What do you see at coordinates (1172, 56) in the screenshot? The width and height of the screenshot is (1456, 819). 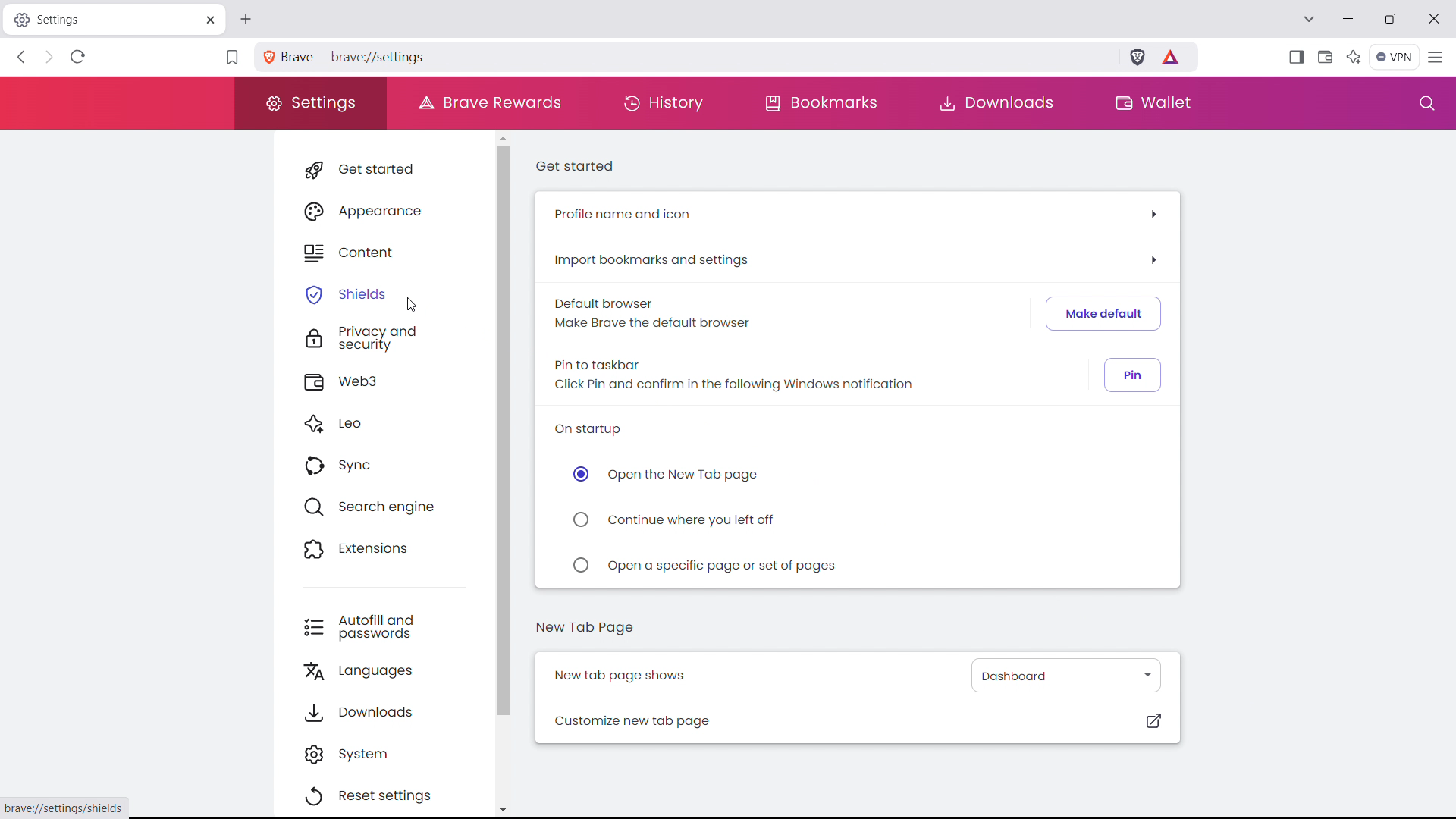 I see `brave rewards` at bounding box center [1172, 56].